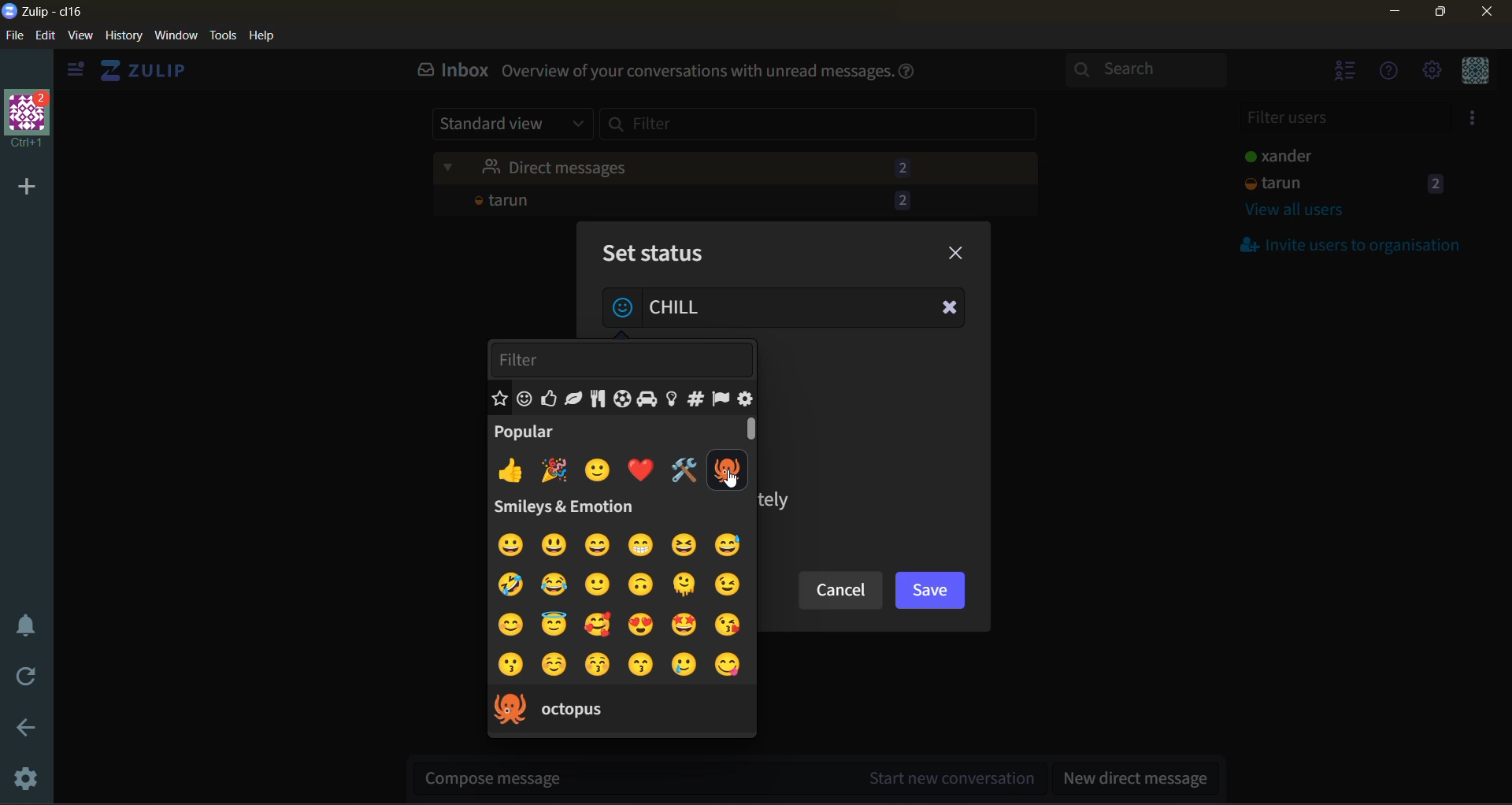 Image resolution: width=1512 pixels, height=805 pixels. Describe the element at coordinates (521, 432) in the screenshot. I see `popular` at that location.